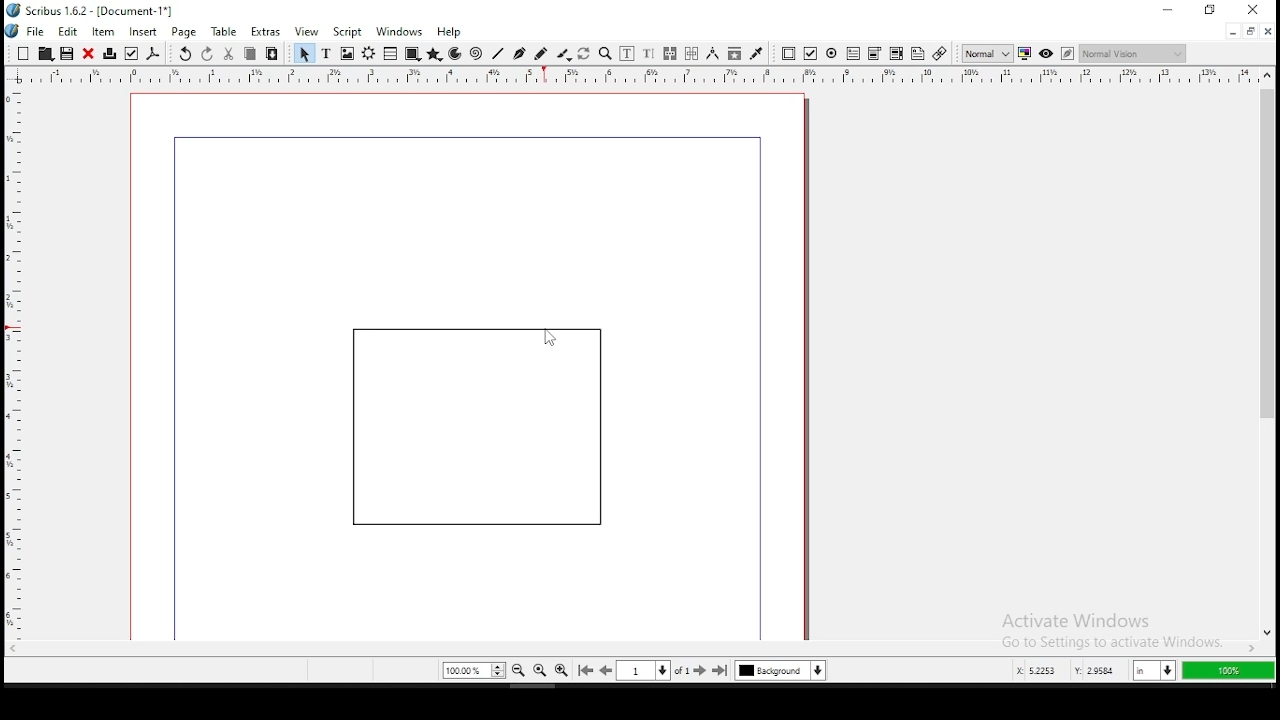 The image size is (1280, 720). Describe the element at coordinates (670, 54) in the screenshot. I see `link text frames` at that location.